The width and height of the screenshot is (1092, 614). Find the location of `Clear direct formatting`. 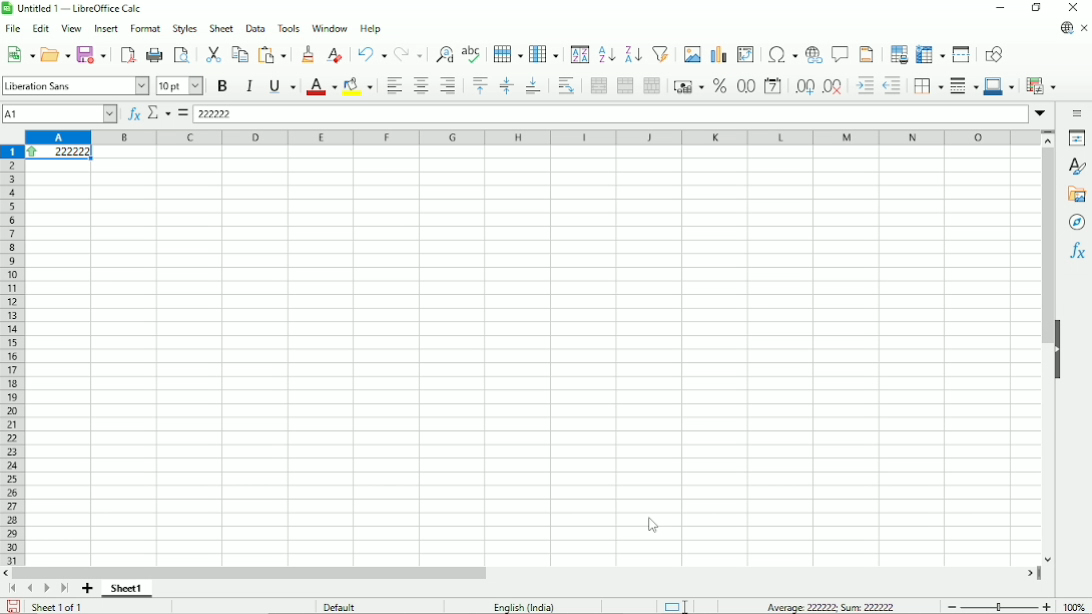

Clear direct formatting is located at coordinates (335, 54).